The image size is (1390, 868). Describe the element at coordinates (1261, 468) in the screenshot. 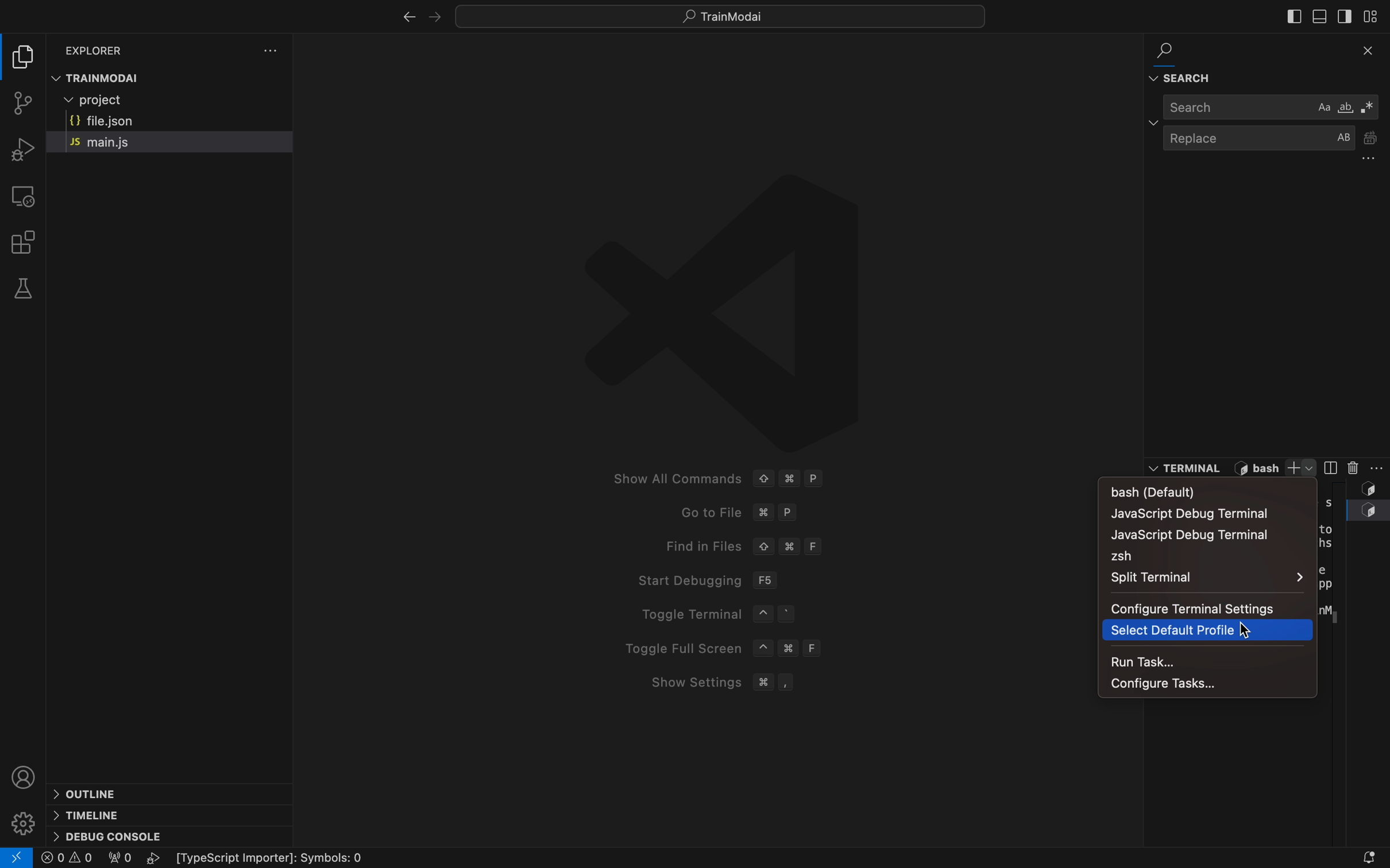

I see `terminal name` at that location.